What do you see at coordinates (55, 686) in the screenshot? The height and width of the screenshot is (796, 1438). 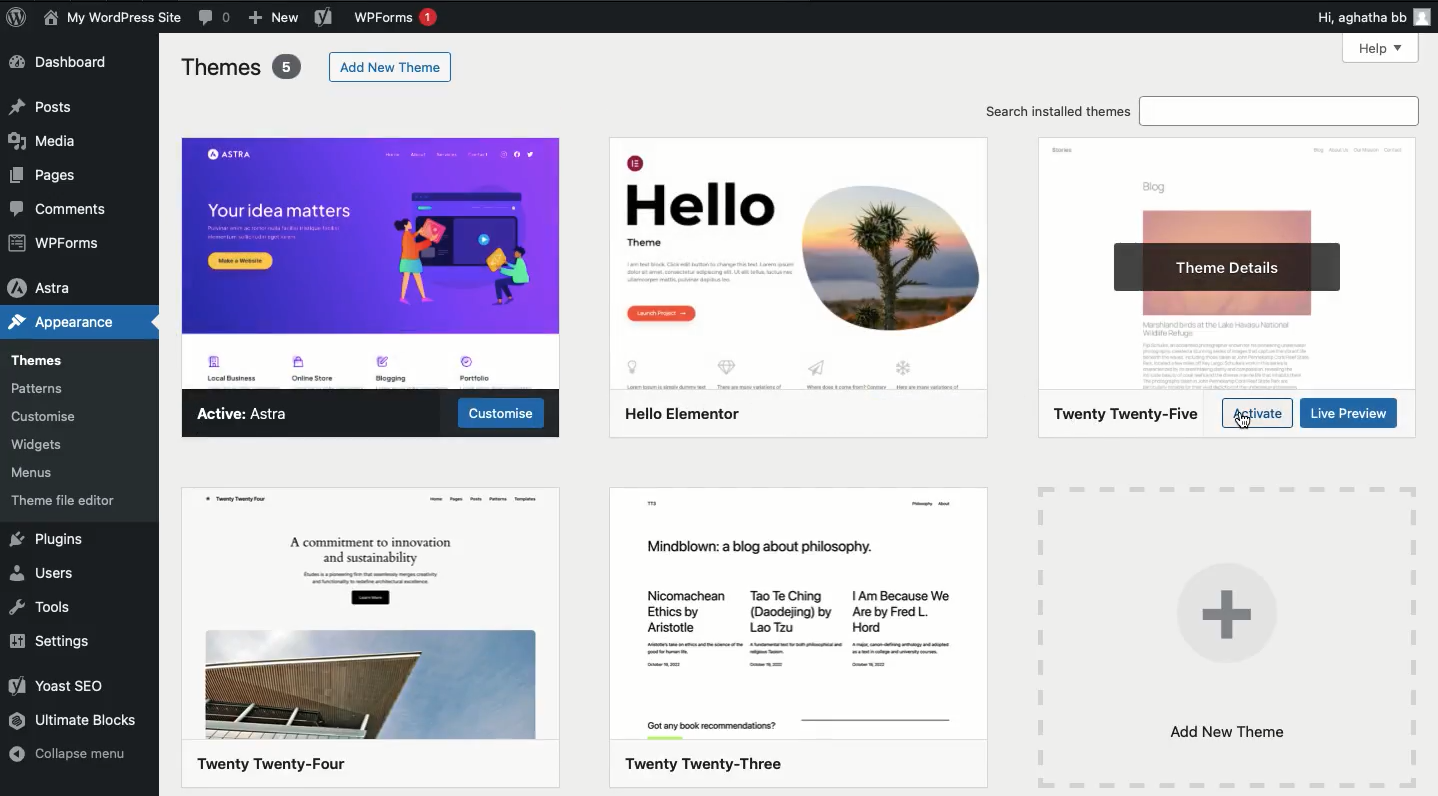 I see `Yoast SEO` at bounding box center [55, 686].